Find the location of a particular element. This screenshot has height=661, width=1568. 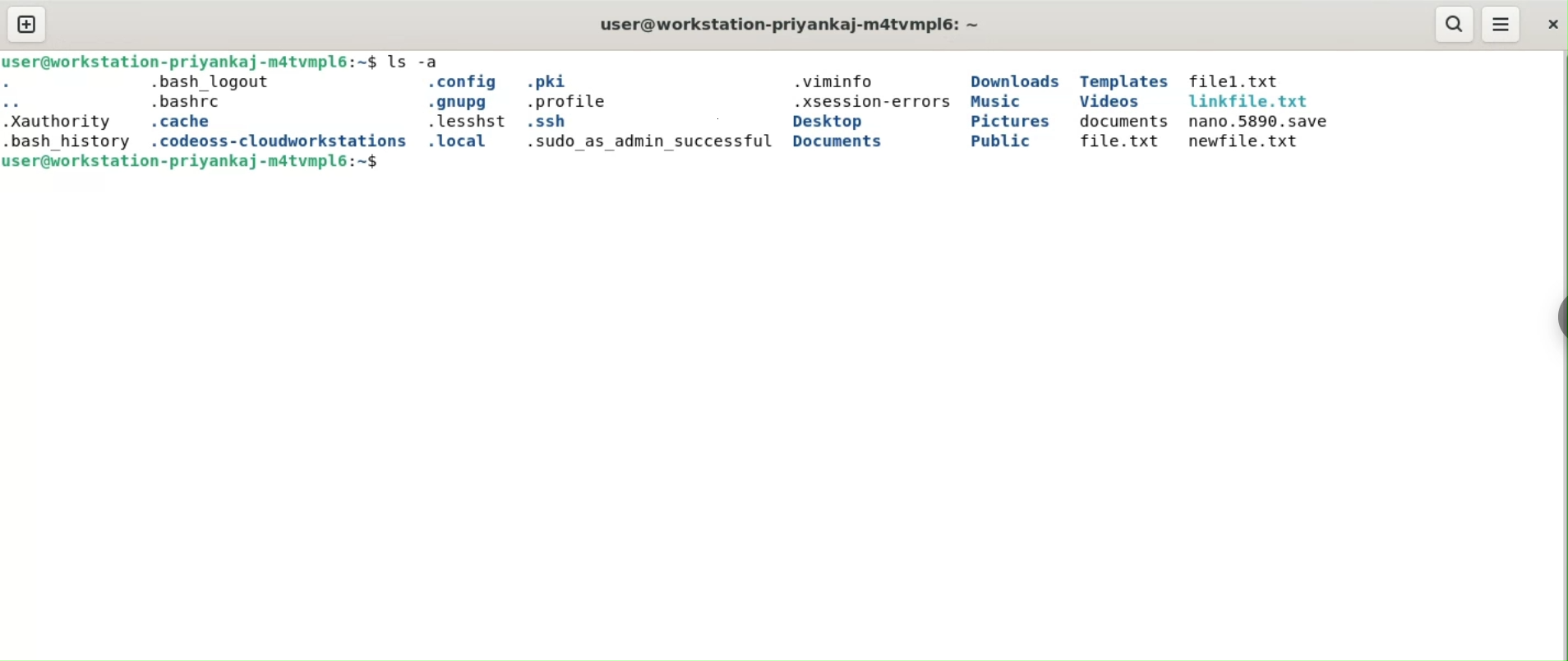

user@workstation-priyankaj-m4tvmpl6:~$ is located at coordinates (191, 62).